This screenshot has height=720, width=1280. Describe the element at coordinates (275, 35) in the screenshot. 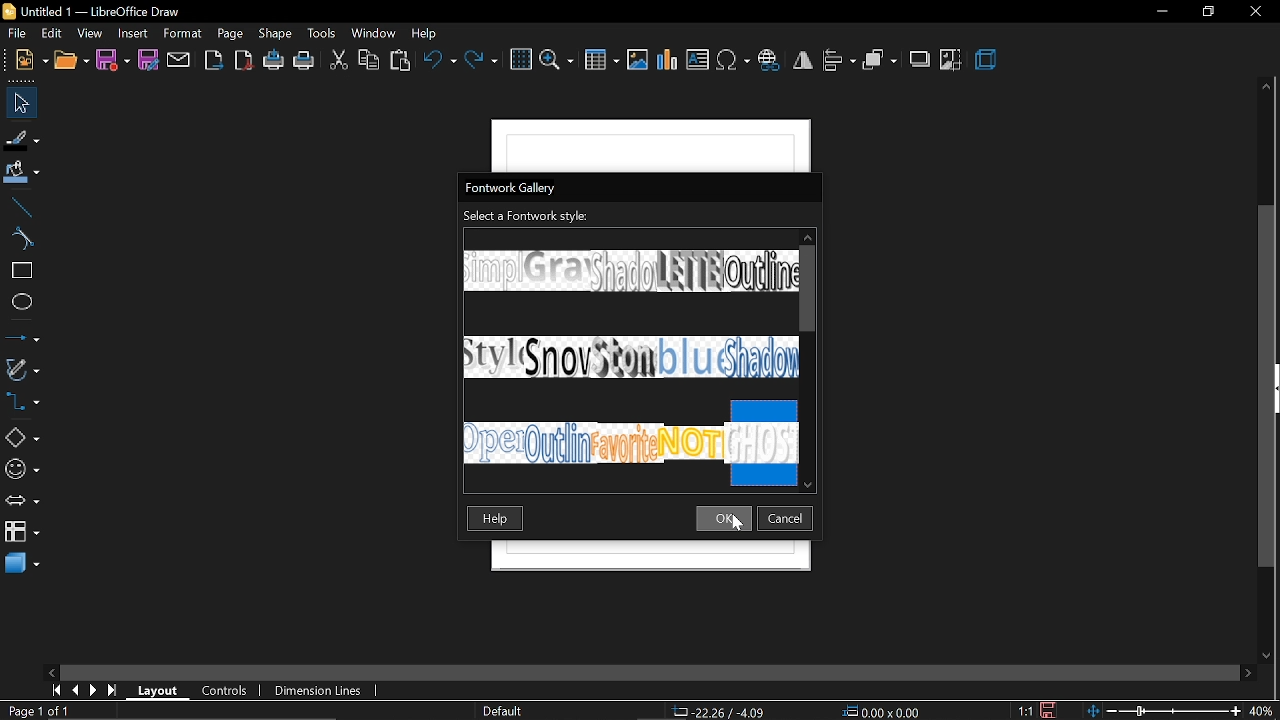

I see `shape` at that location.